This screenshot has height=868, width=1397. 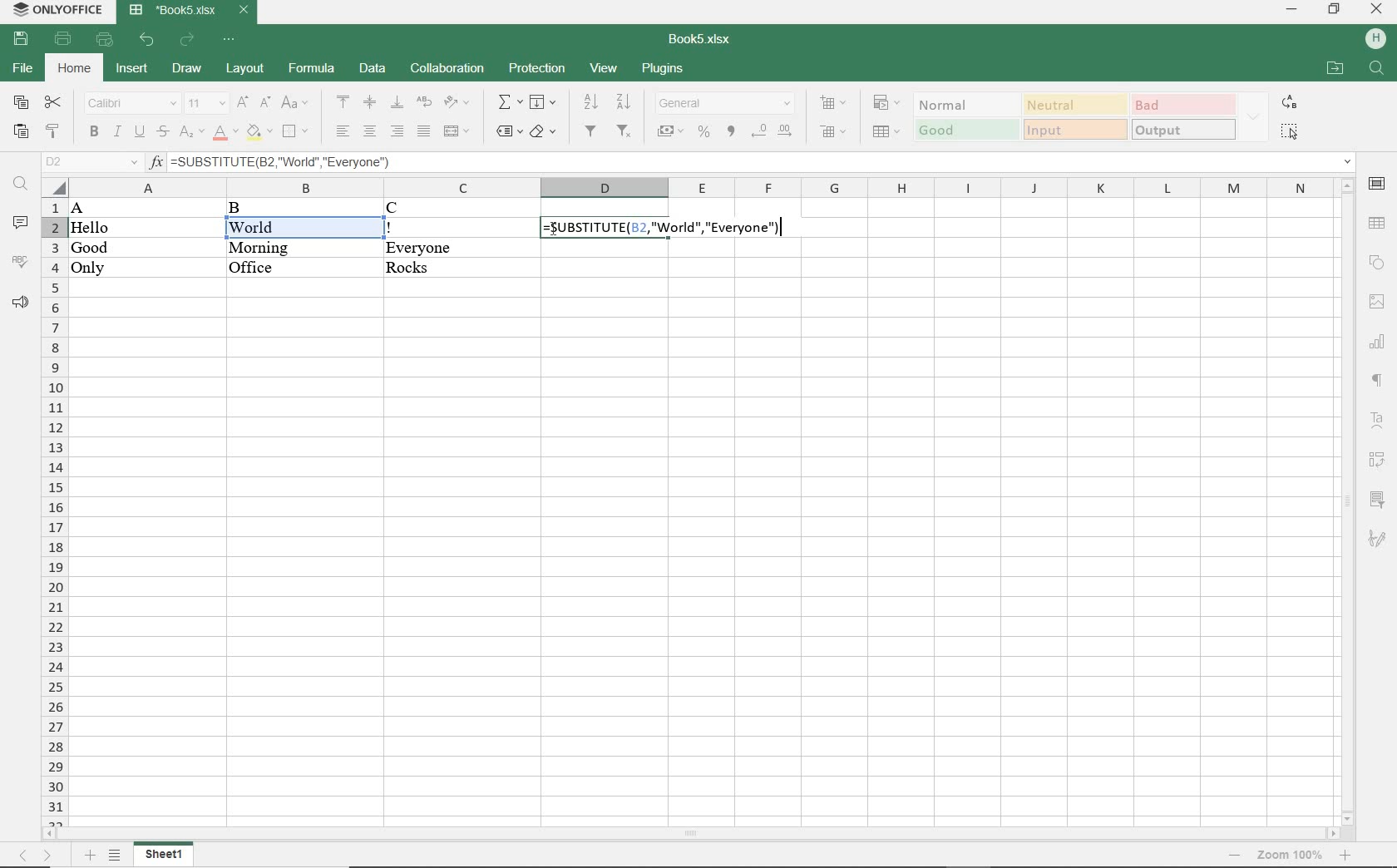 What do you see at coordinates (259, 267) in the screenshot?
I see `Office` at bounding box center [259, 267].